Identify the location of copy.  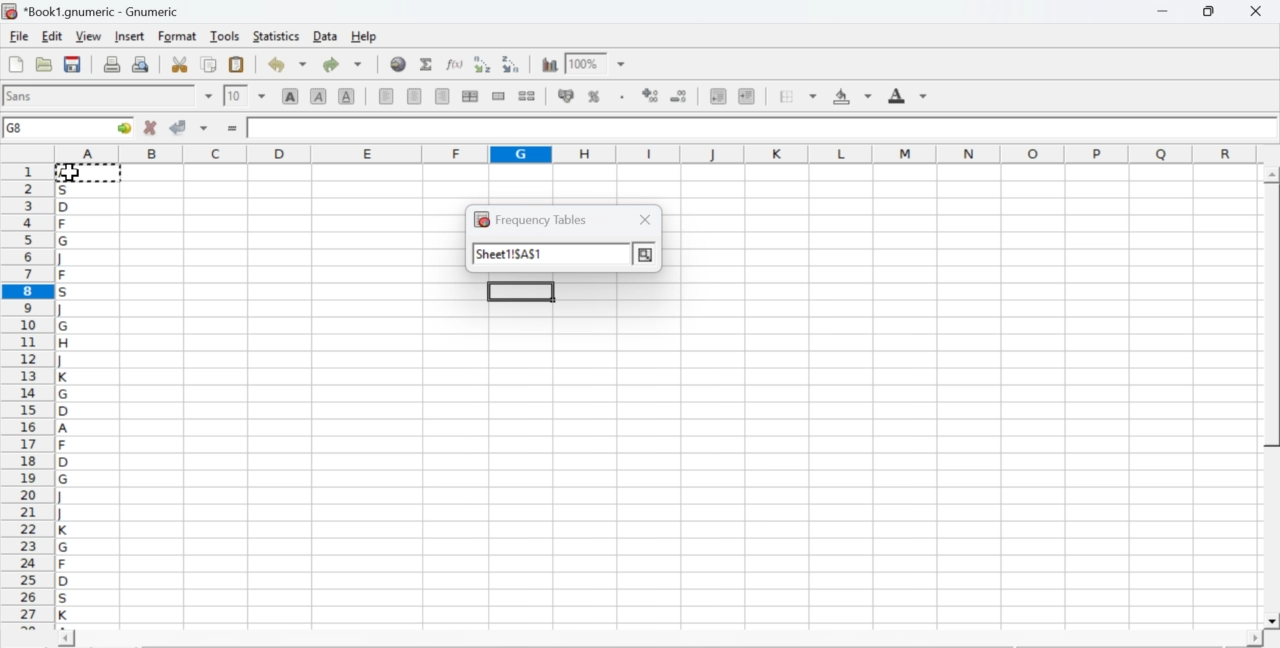
(210, 64).